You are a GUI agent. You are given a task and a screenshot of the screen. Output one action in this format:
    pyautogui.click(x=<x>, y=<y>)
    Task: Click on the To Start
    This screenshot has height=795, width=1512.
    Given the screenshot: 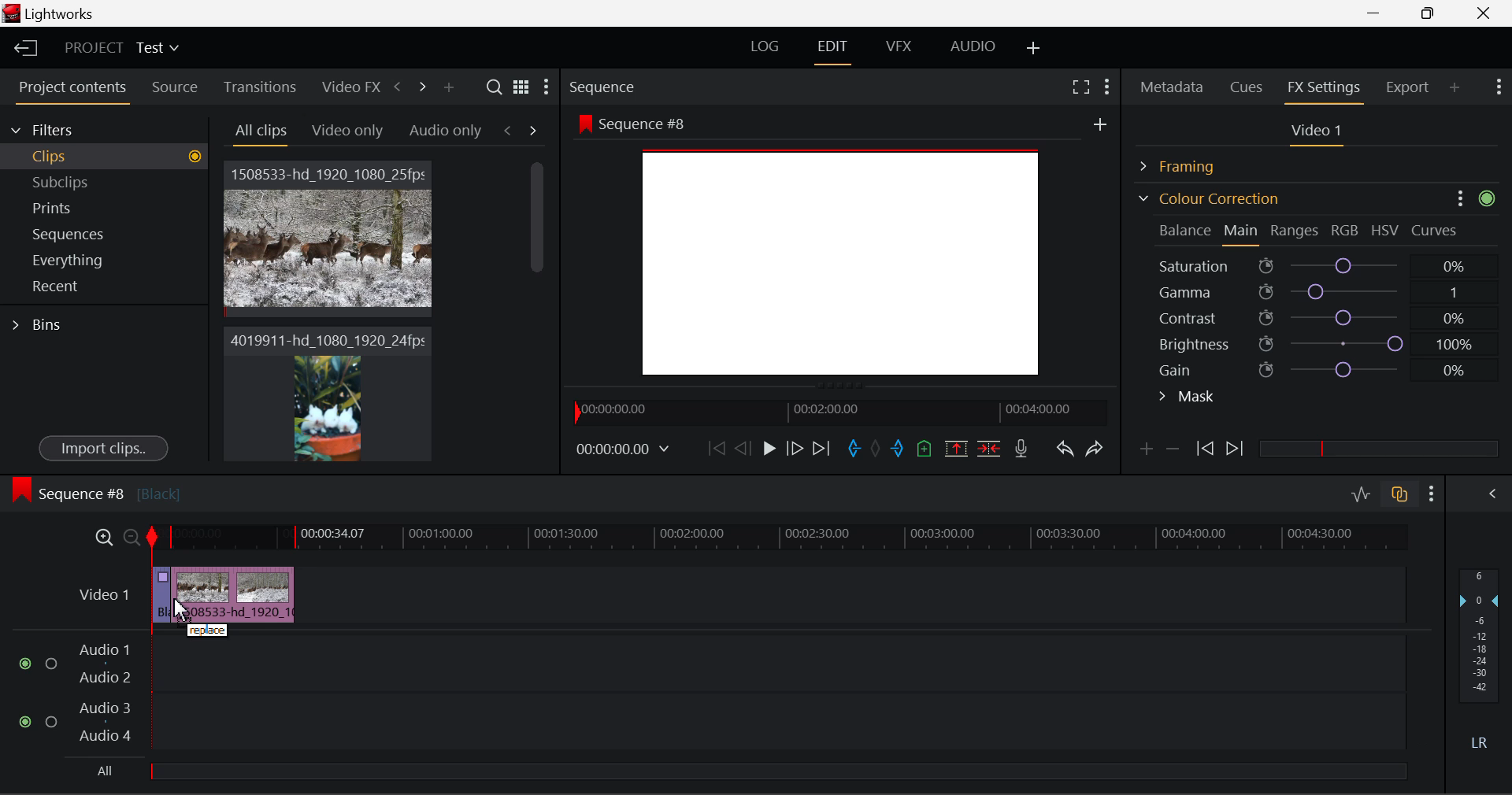 What is the action you would take?
    pyautogui.click(x=715, y=448)
    